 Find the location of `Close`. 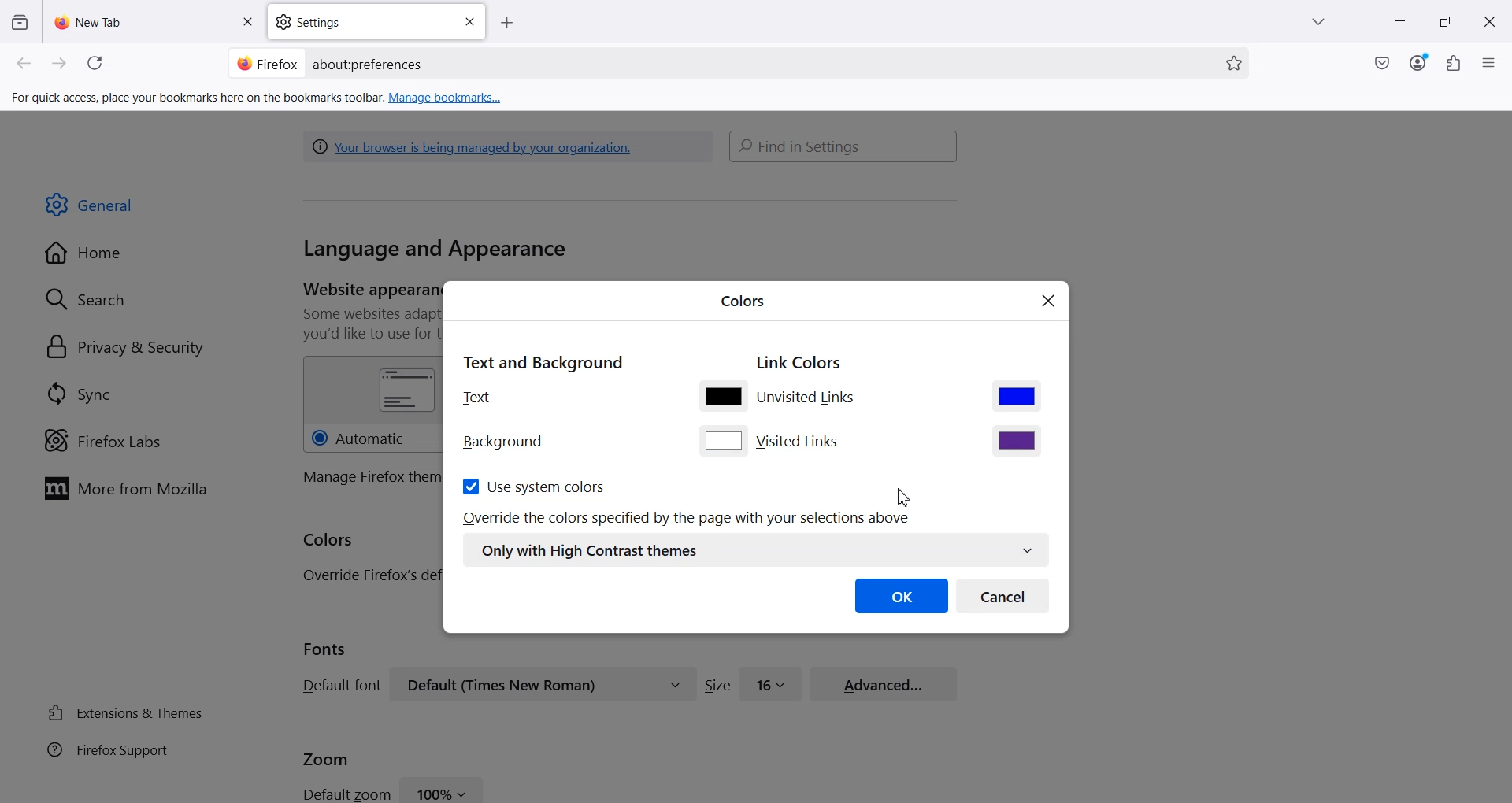

Close is located at coordinates (469, 22).